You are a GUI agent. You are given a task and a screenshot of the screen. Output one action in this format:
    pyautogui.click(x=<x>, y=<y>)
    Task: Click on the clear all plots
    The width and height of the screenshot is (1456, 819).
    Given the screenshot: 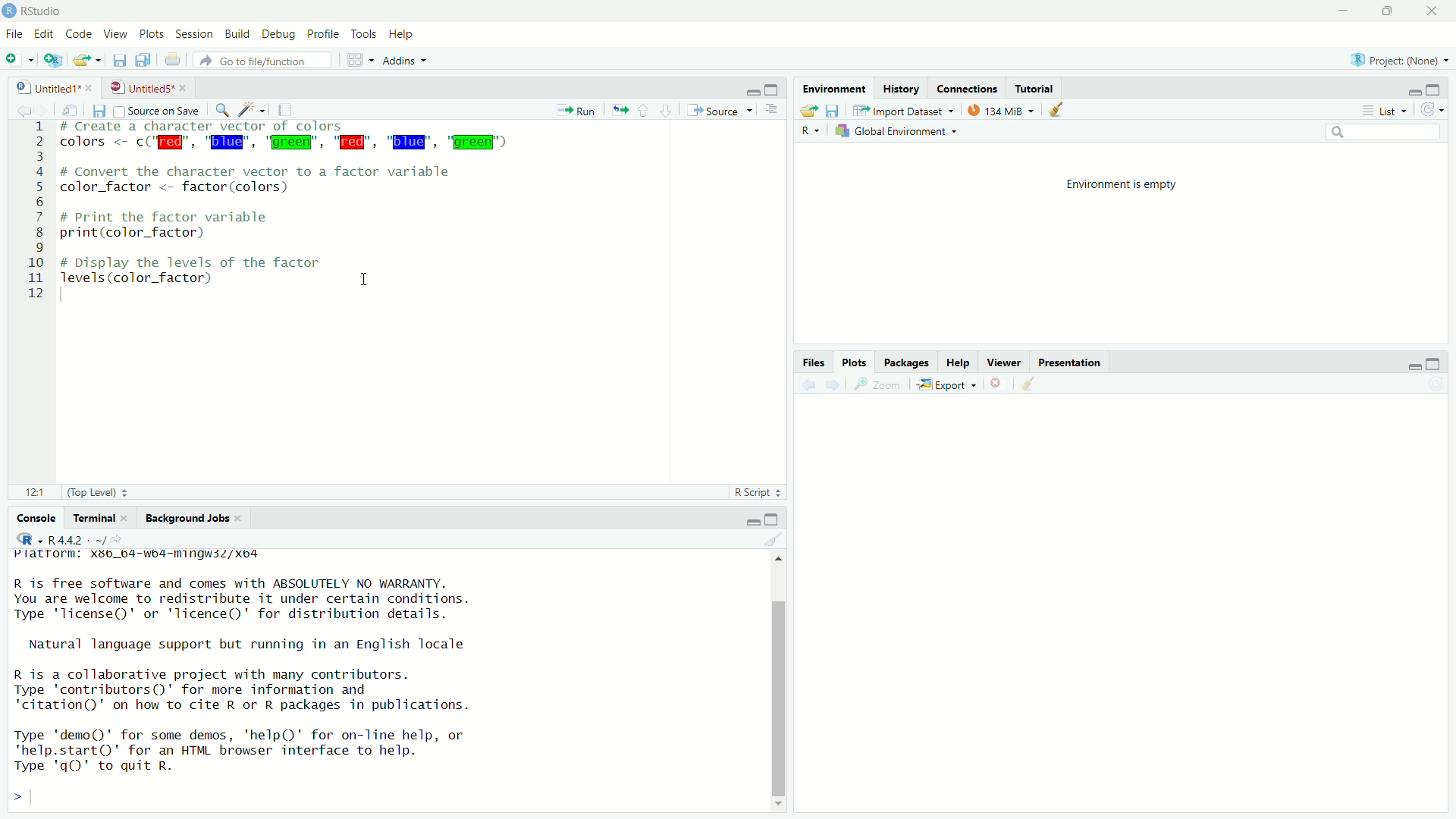 What is the action you would take?
    pyautogui.click(x=1028, y=384)
    